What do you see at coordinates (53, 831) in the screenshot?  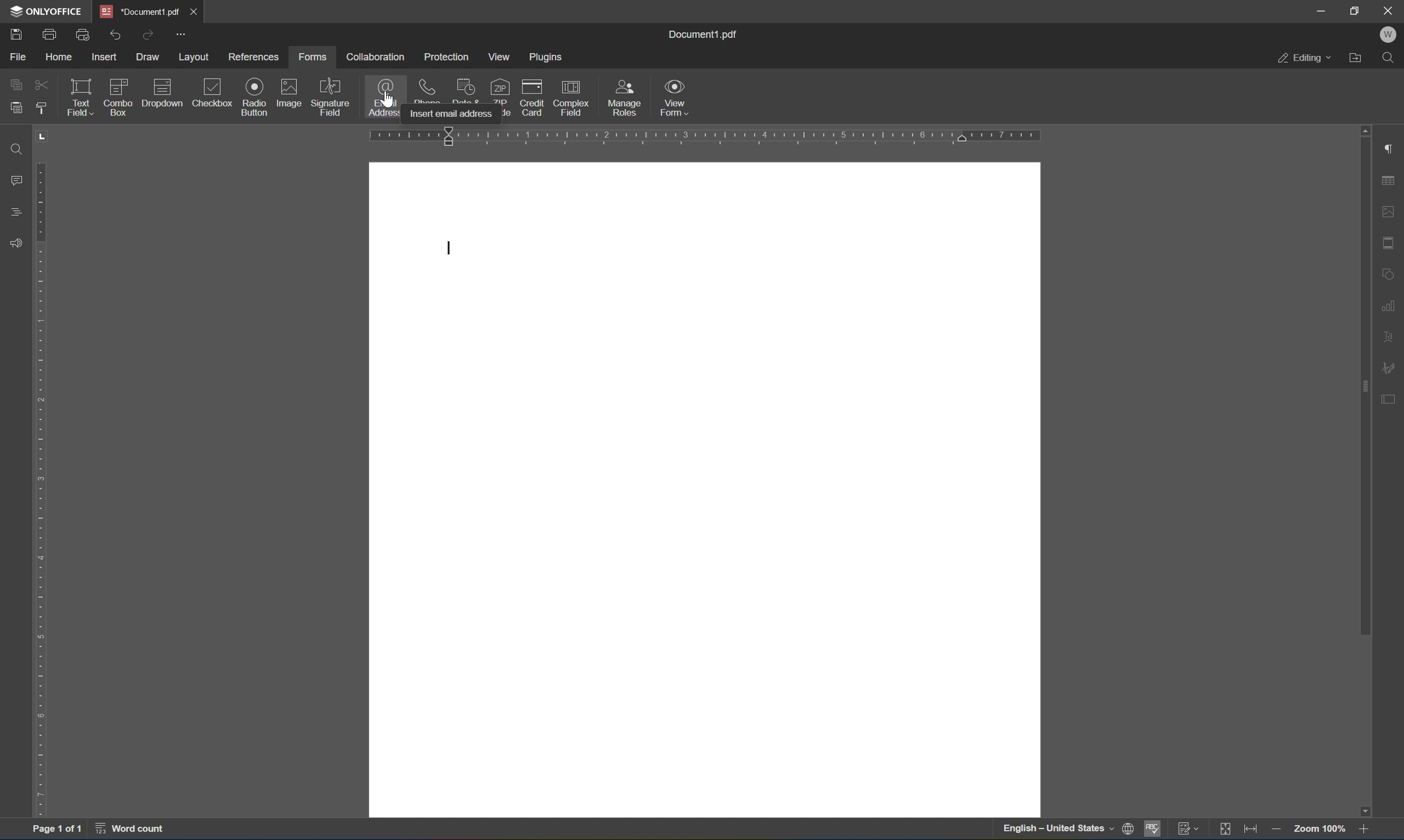 I see `page 1 of 1` at bounding box center [53, 831].